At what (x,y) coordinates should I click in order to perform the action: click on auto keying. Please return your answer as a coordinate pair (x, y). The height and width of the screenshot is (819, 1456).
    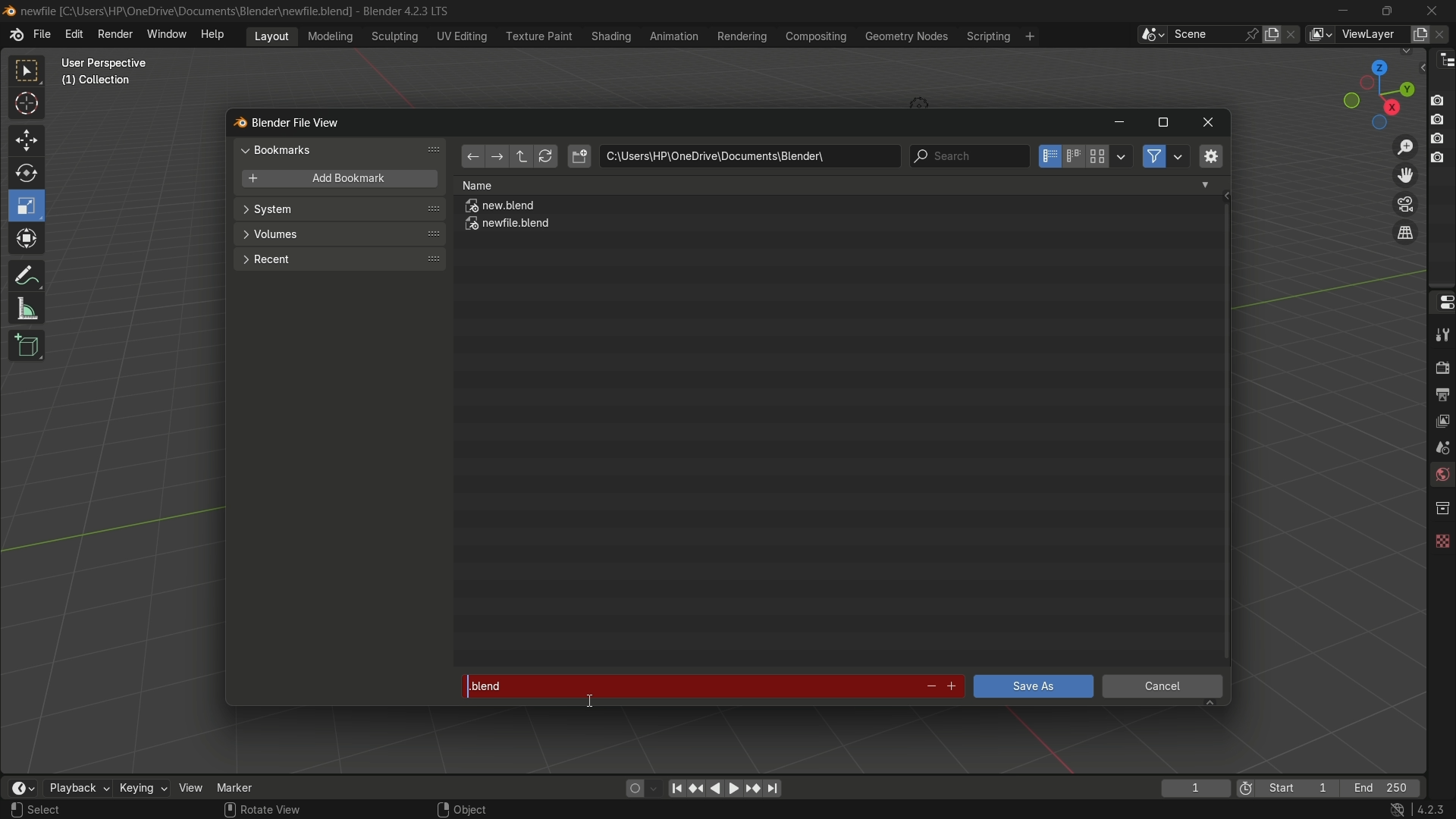
    Looking at the image, I should click on (631, 787).